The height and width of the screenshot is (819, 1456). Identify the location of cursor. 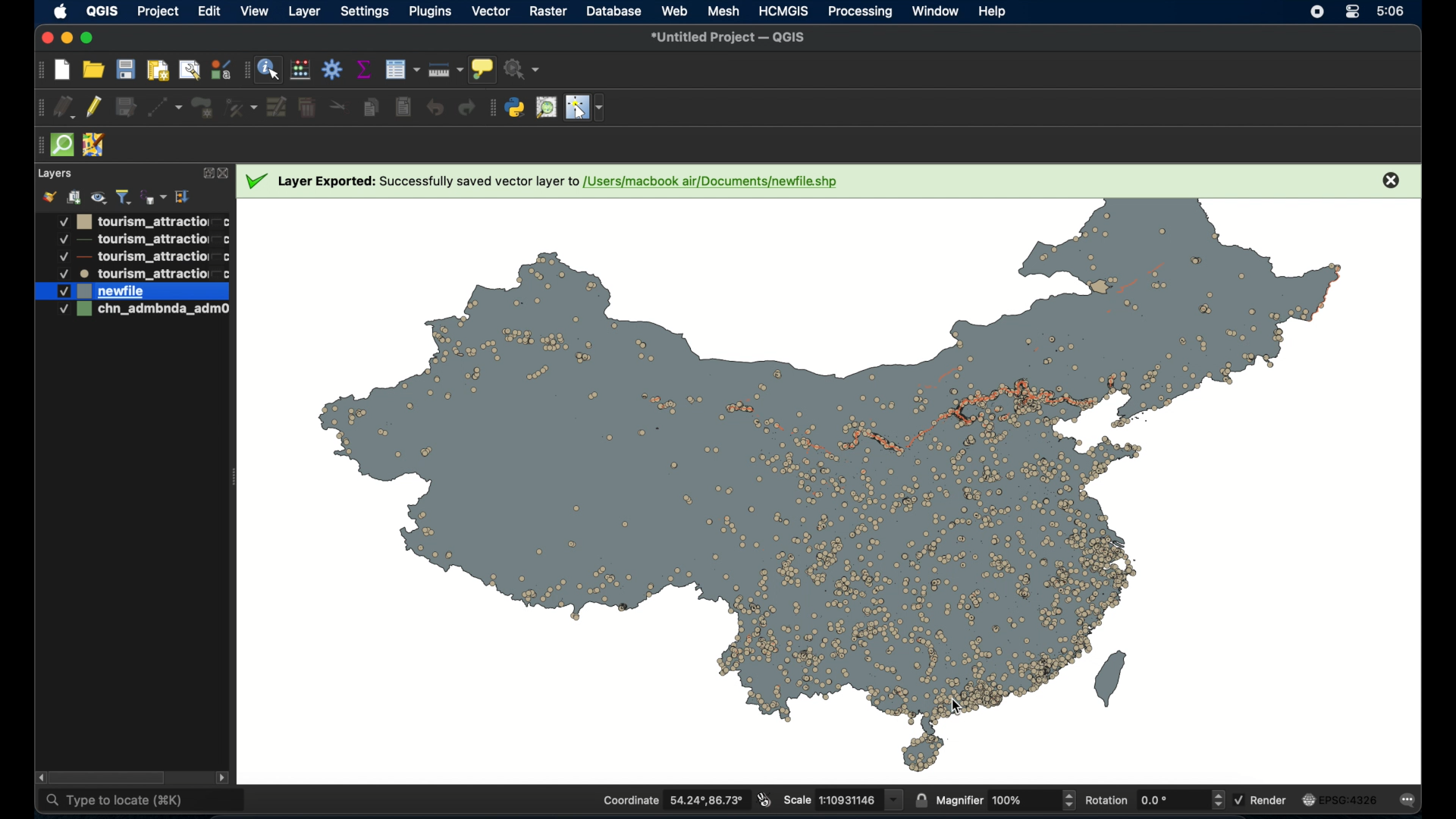
(955, 705).